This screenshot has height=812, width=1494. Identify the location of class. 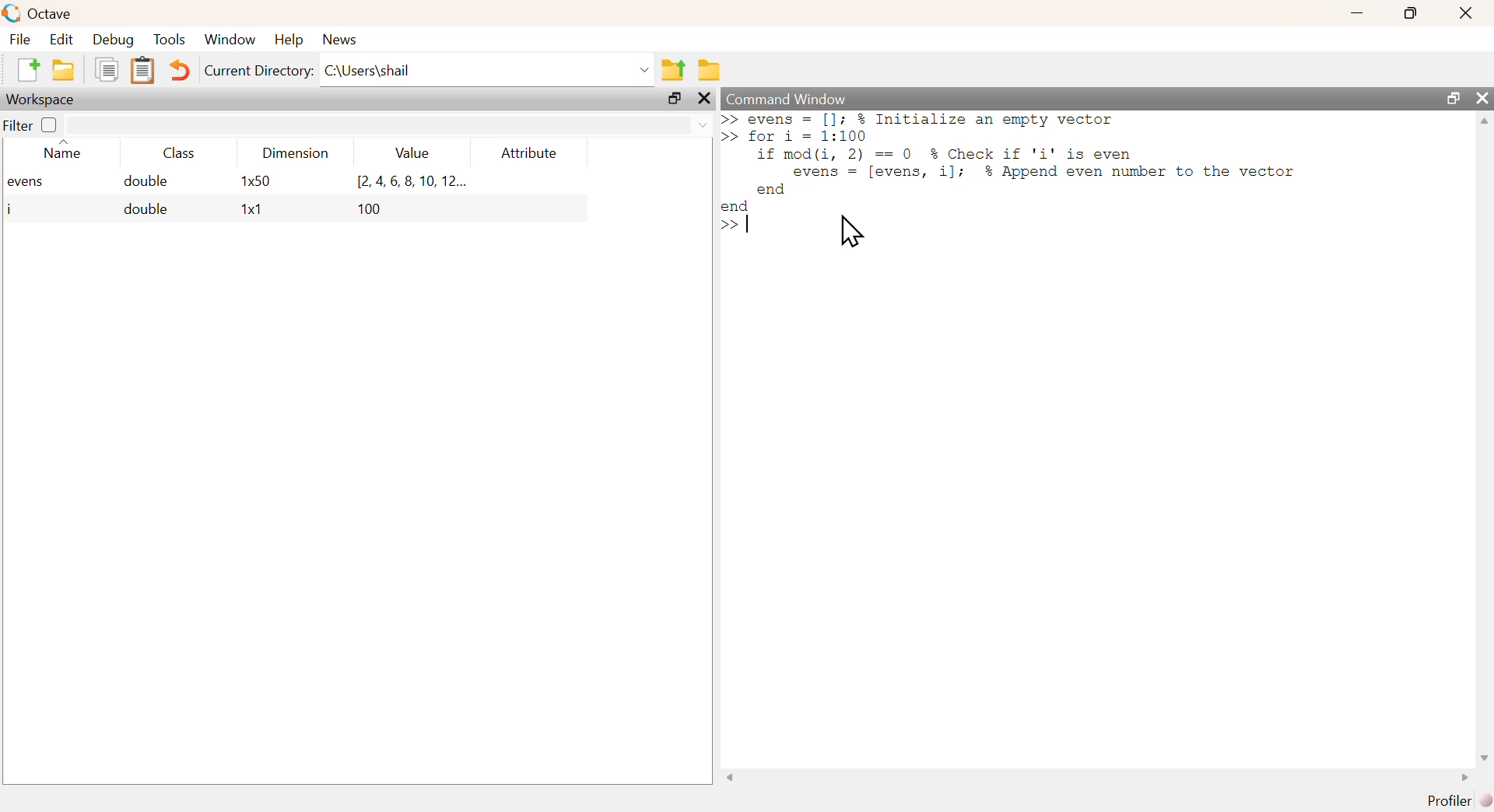
(177, 153).